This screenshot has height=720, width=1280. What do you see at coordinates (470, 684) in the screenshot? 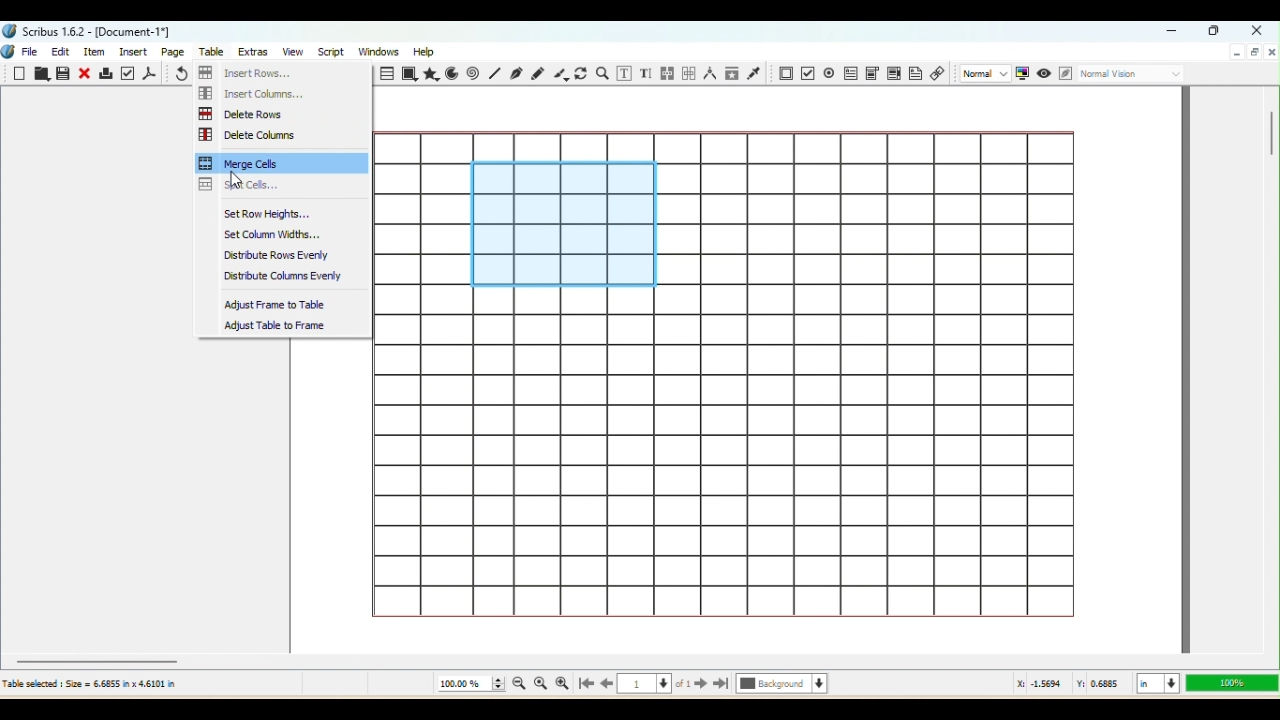
I see `Current zoom level` at bounding box center [470, 684].